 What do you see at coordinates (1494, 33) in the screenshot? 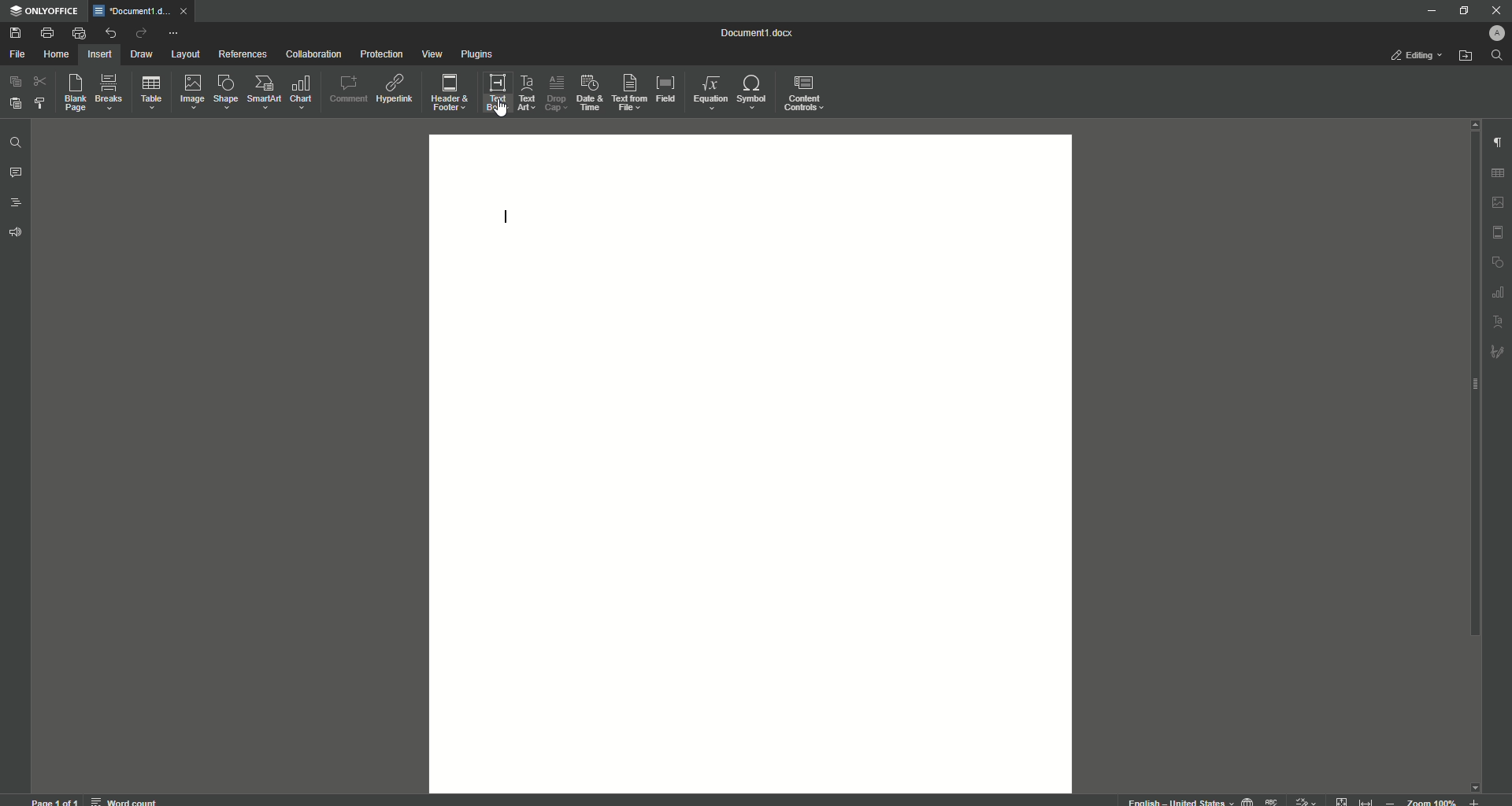
I see `Profile` at bounding box center [1494, 33].